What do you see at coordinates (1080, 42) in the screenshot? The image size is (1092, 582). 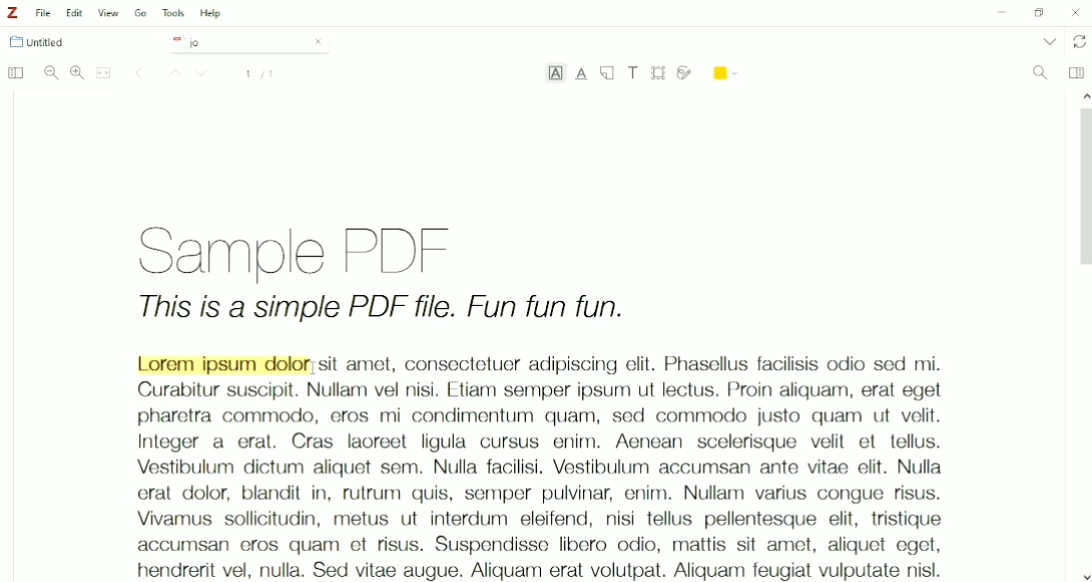 I see `Sync` at bounding box center [1080, 42].